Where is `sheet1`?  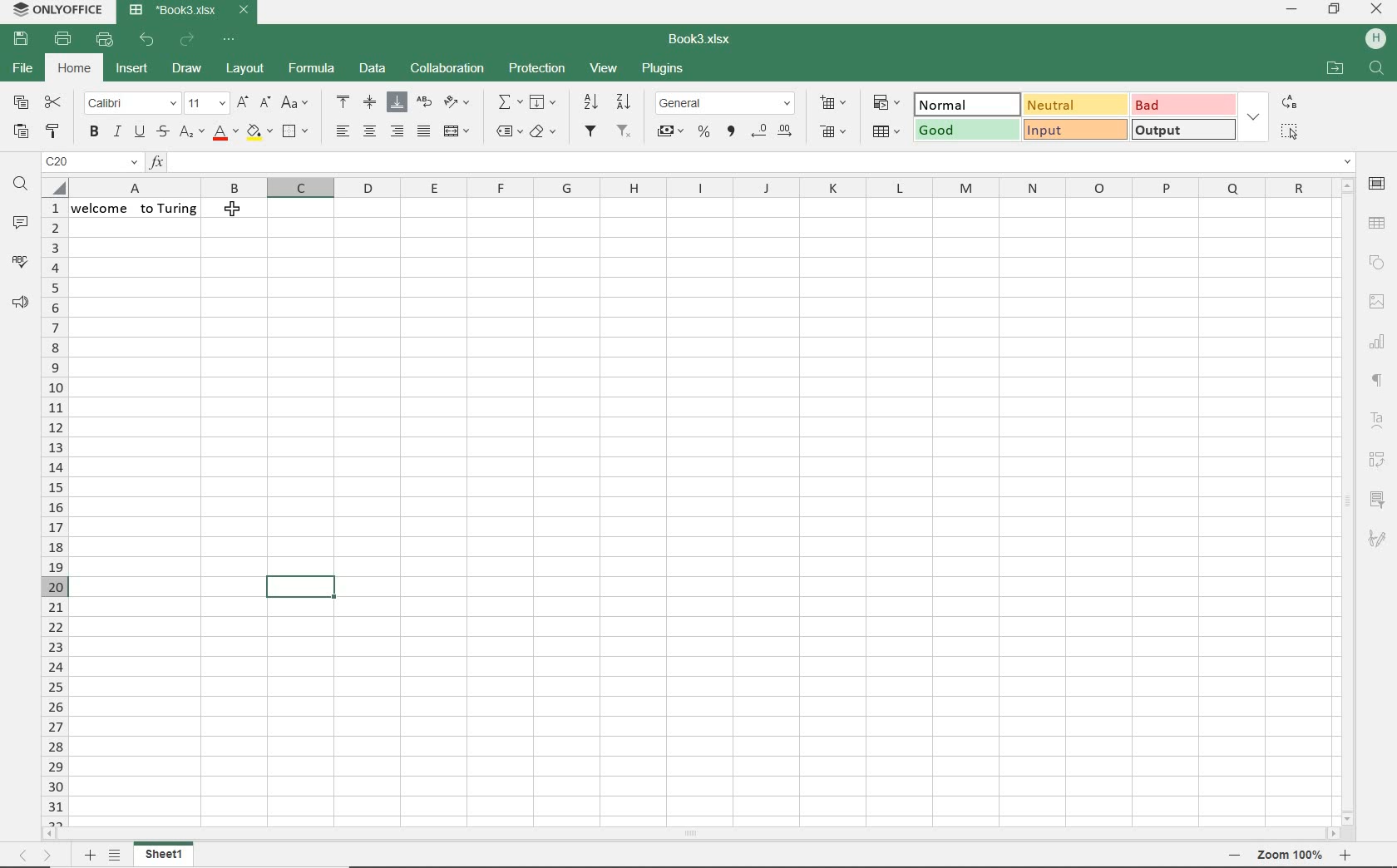
sheet1 is located at coordinates (163, 856).